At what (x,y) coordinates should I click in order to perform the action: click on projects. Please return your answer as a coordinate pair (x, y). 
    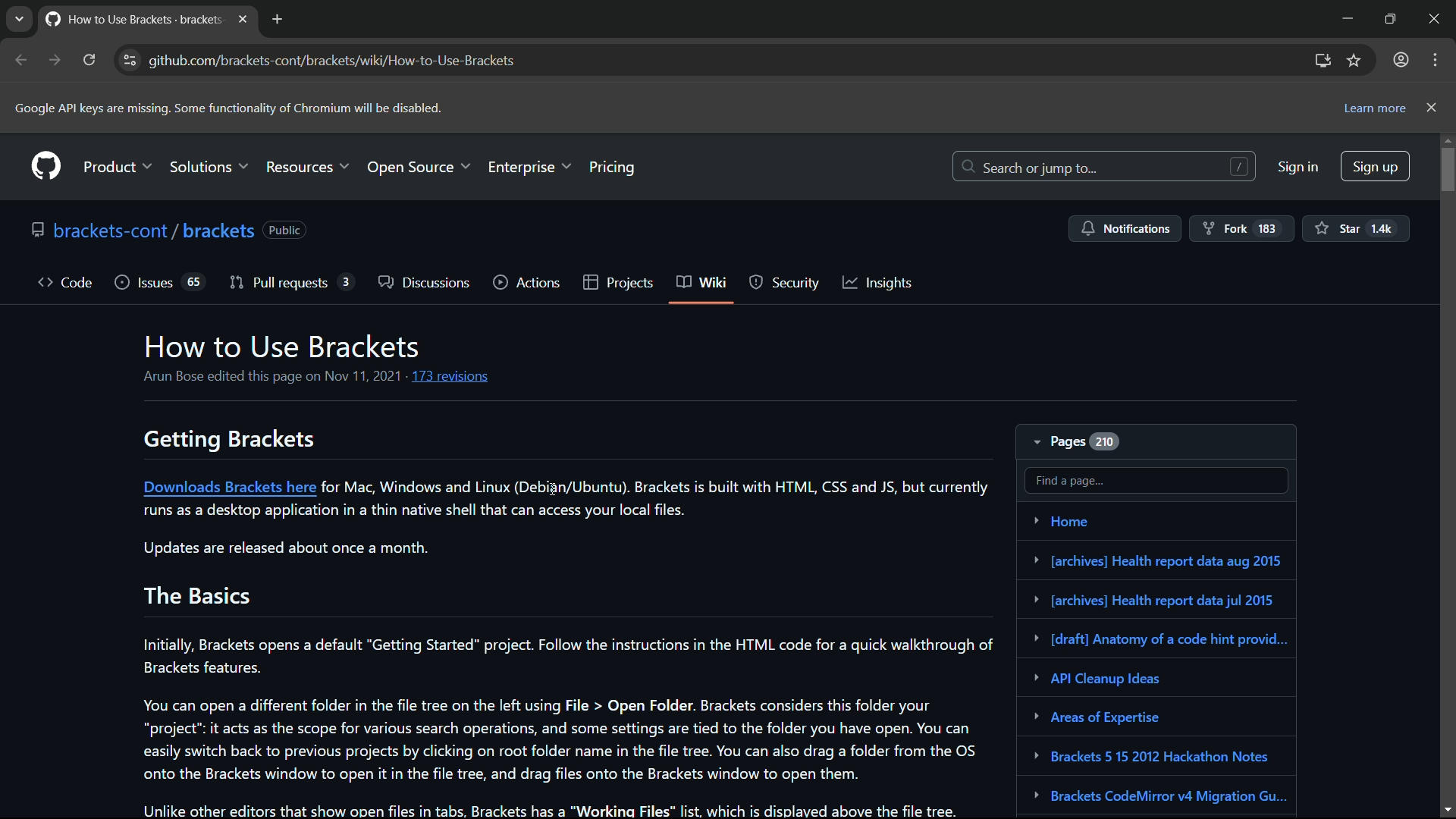
    Looking at the image, I should click on (617, 284).